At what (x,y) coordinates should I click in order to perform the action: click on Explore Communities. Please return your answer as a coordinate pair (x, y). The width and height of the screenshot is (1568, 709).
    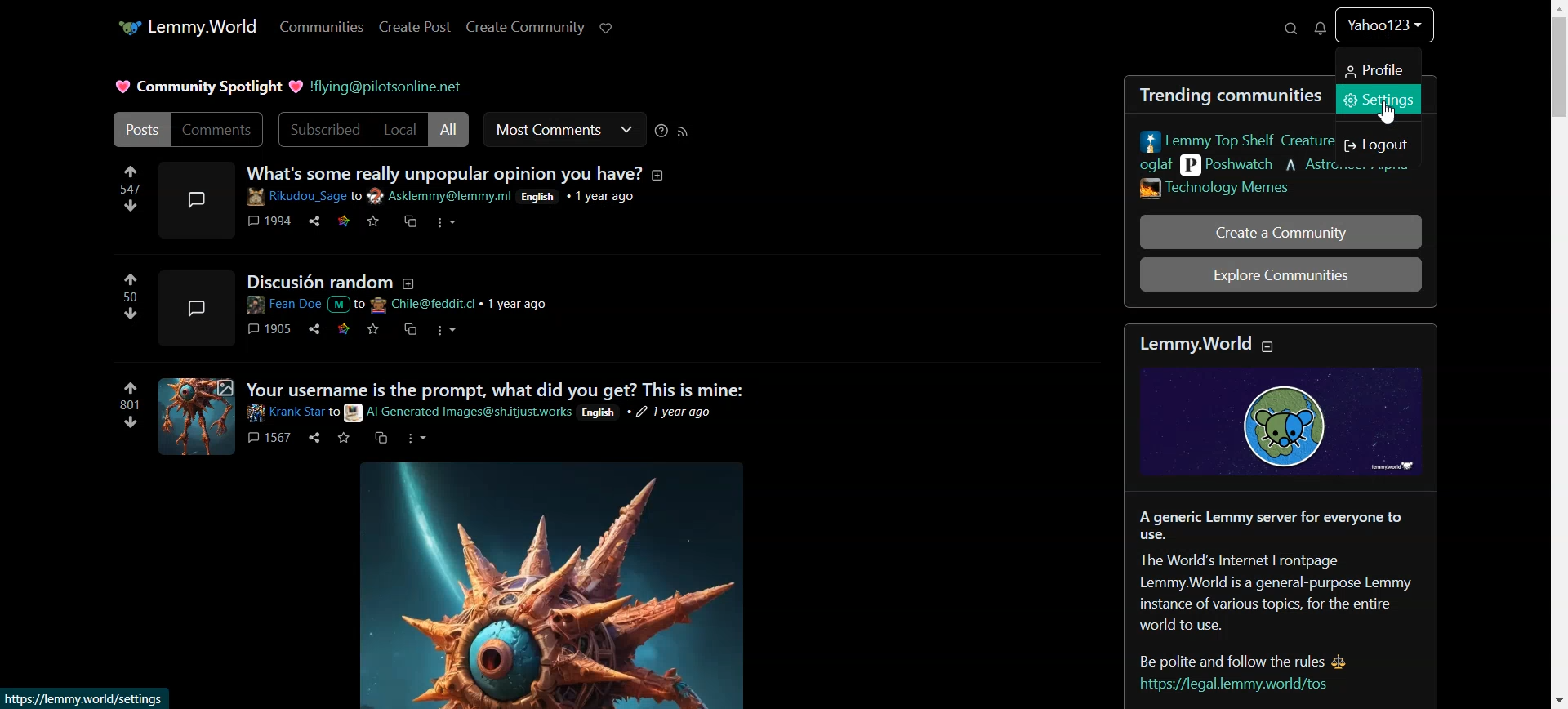
    Looking at the image, I should click on (1281, 274).